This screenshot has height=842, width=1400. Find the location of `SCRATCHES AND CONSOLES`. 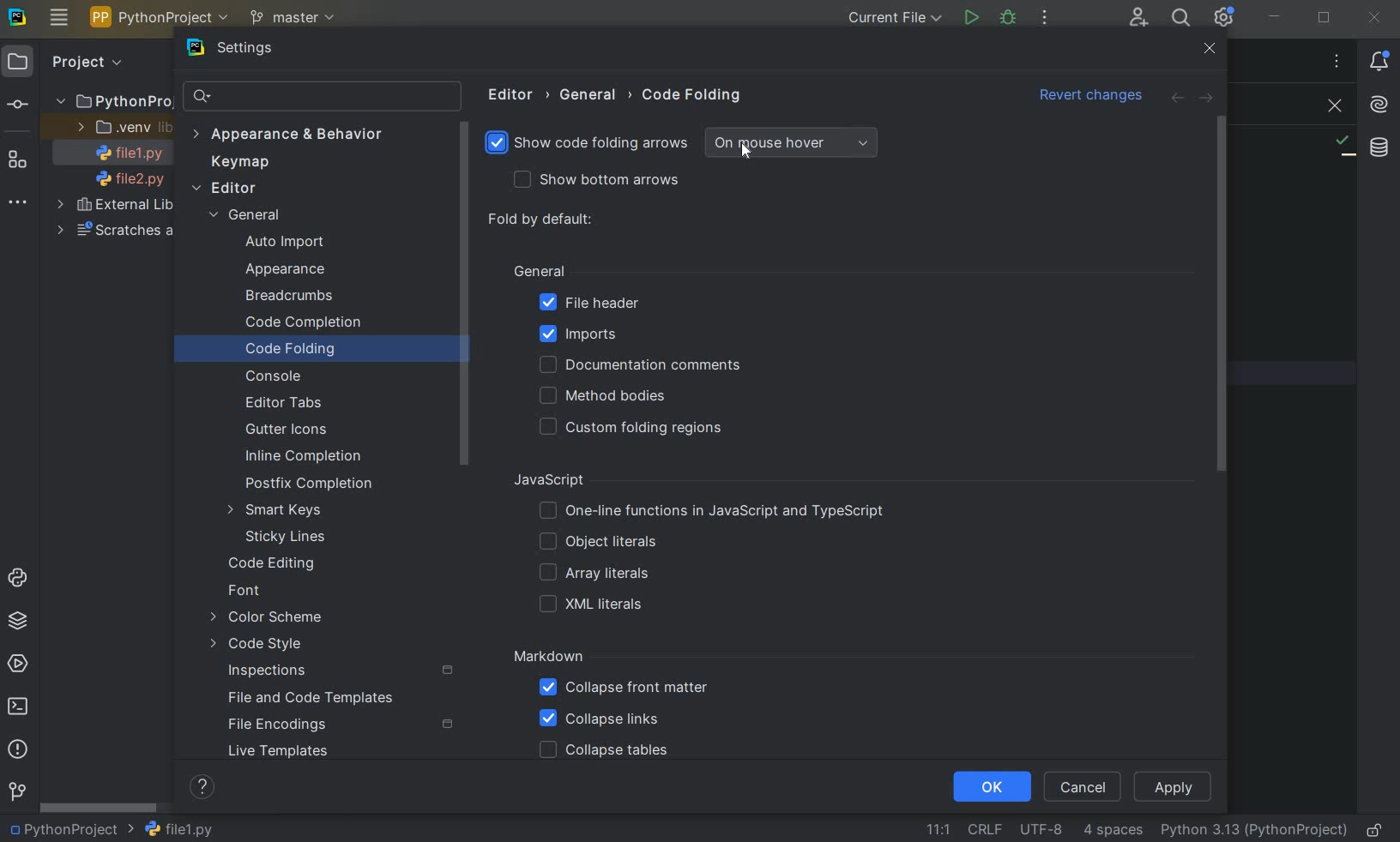

SCRATCHES AND CONSOLES is located at coordinates (112, 232).